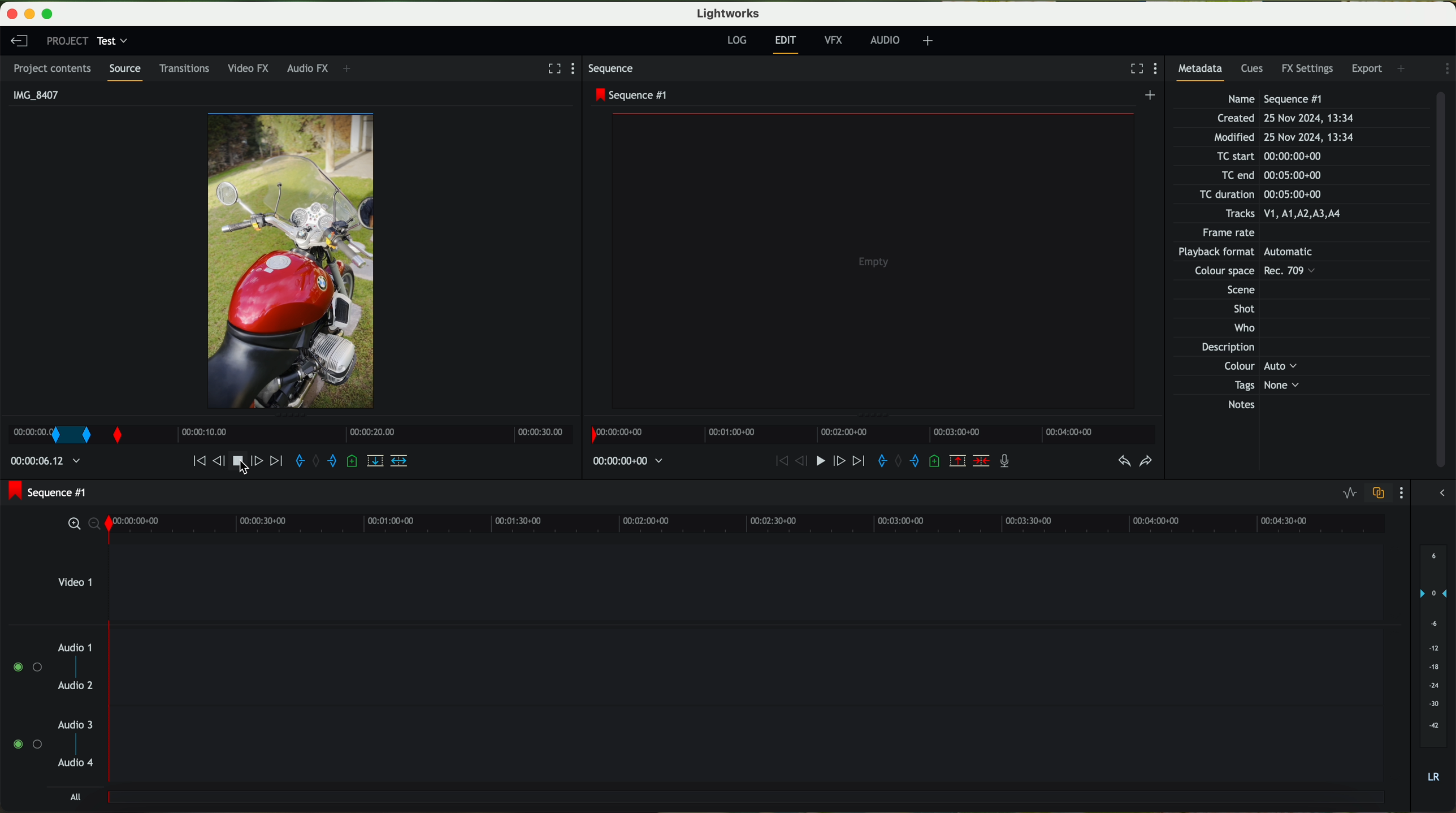  What do you see at coordinates (1350, 494) in the screenshot?
I see `toggle audio levels editing` at bounding box center [1350, 494].